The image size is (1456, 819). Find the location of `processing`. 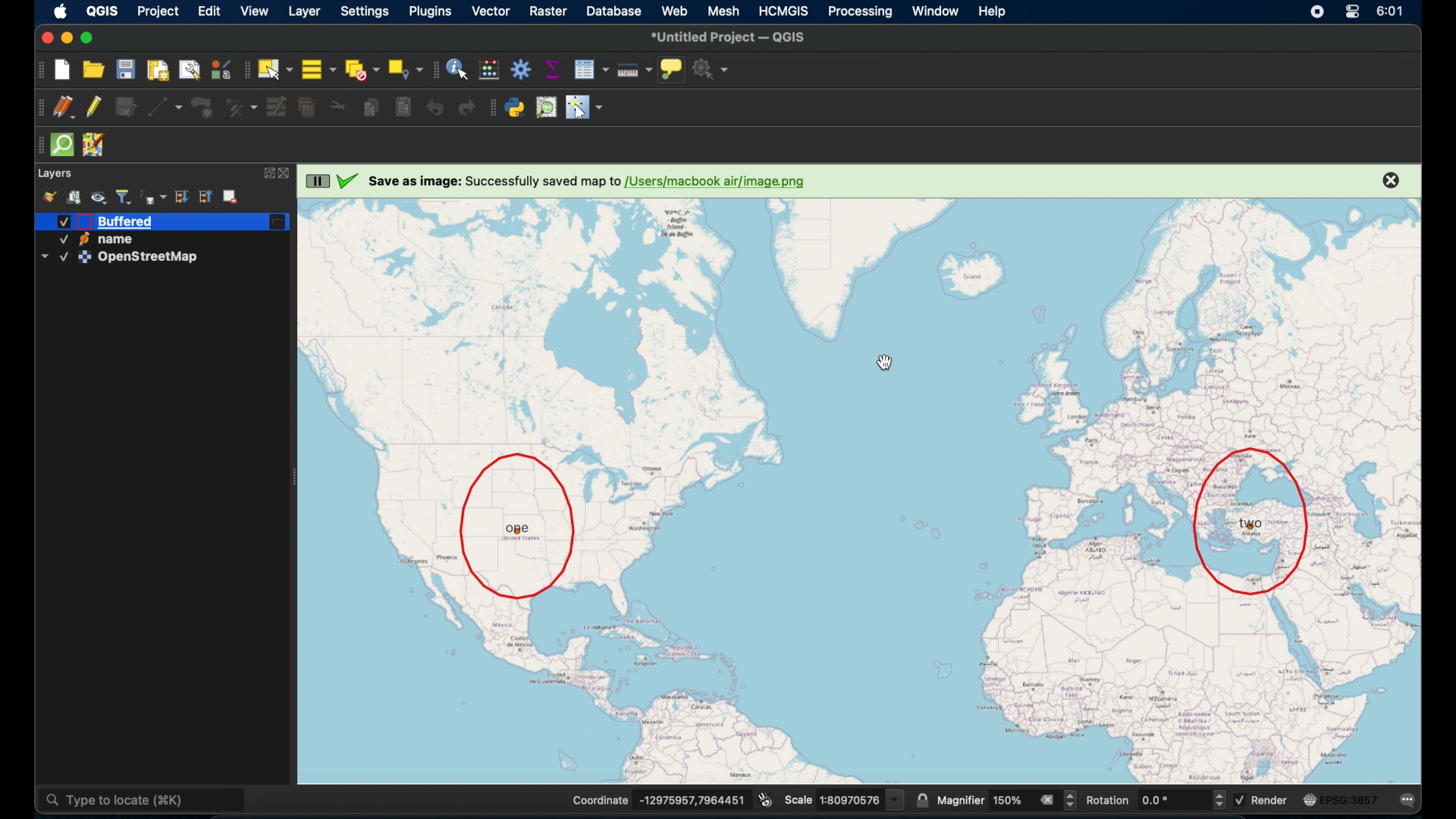

processing is located at coordinates (862, 11).